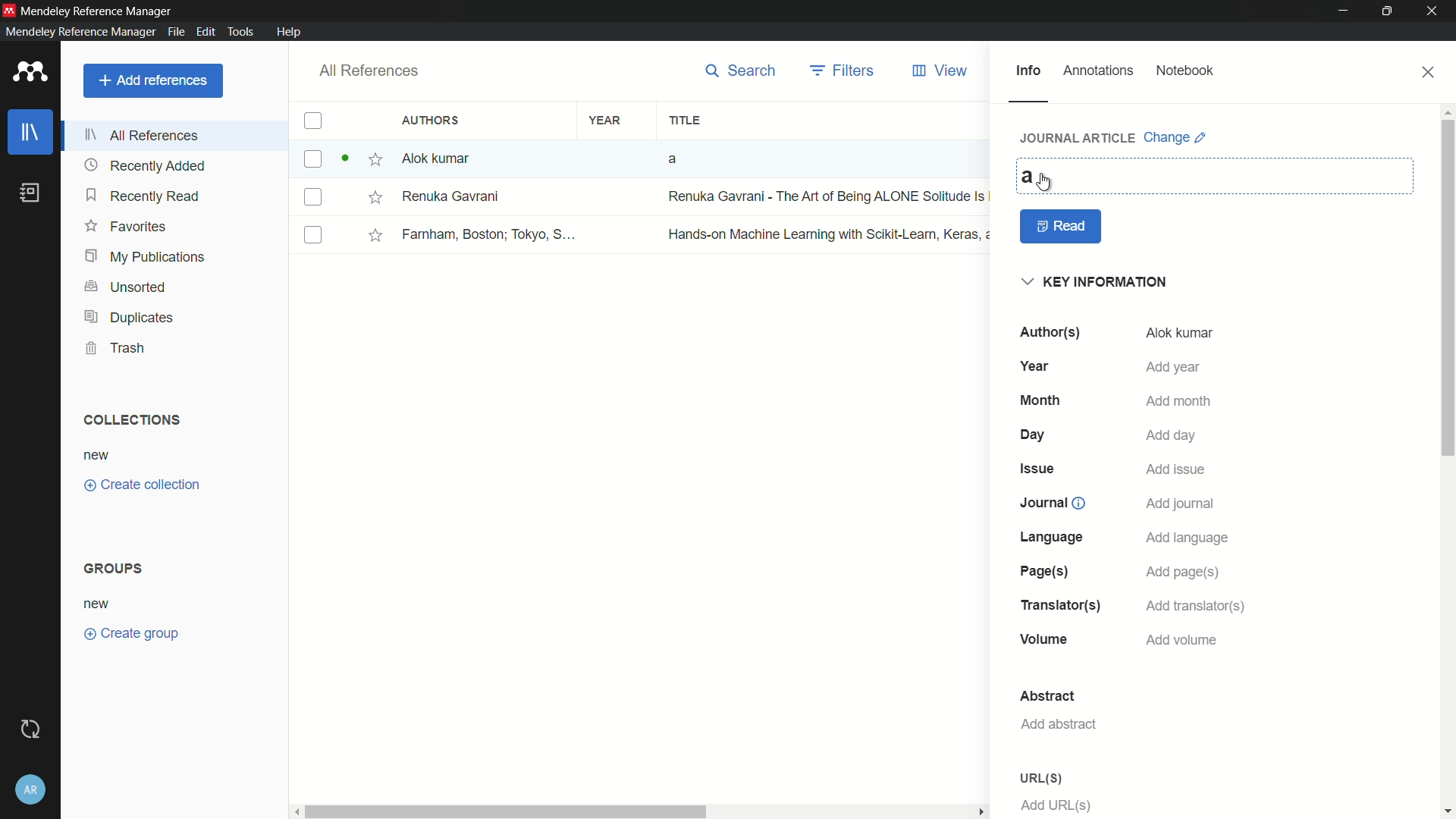  Describe the element at coordinates (152, 80) in the screenshot. I see `add reference` at that location.